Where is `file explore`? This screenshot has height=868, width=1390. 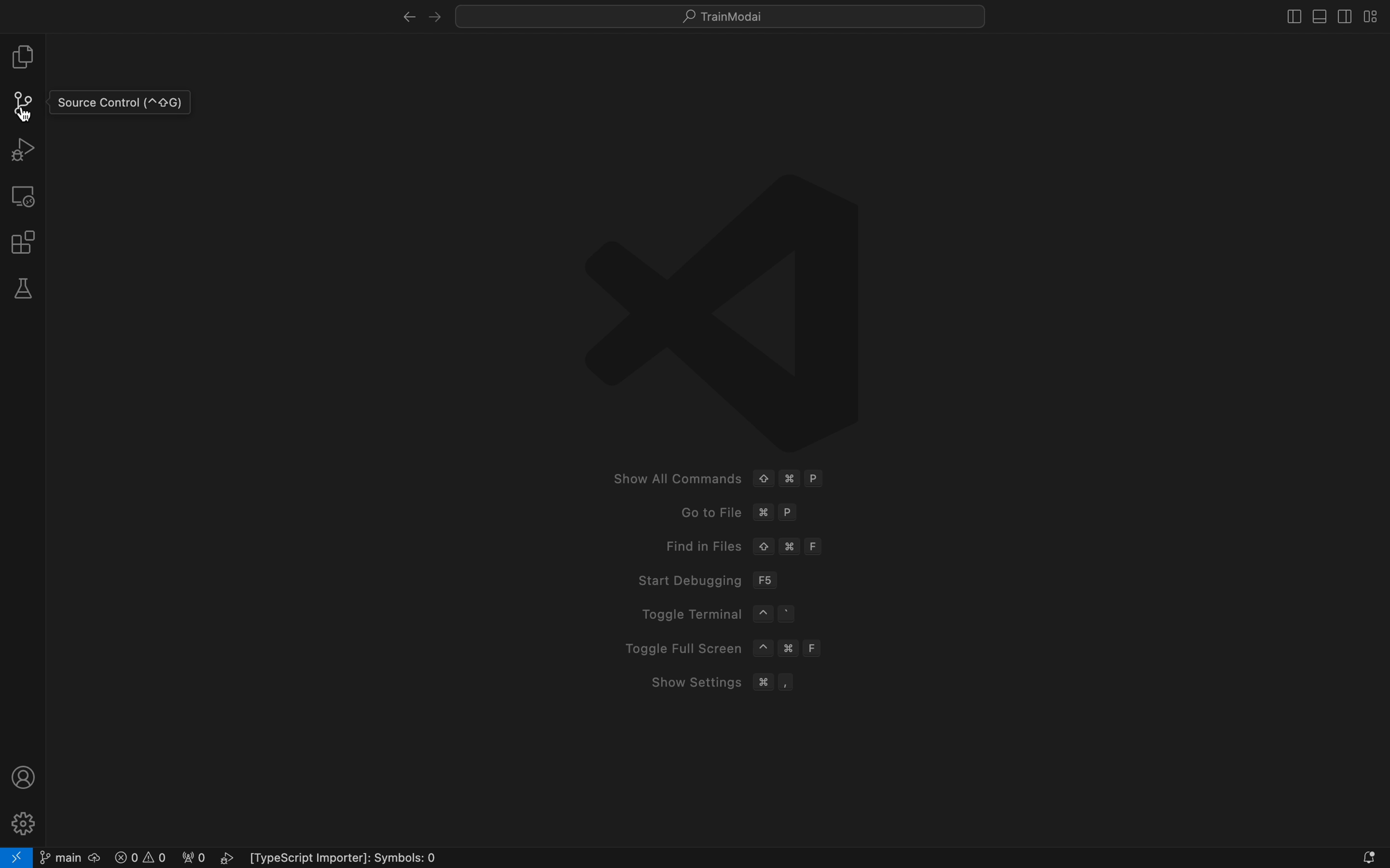
file explore is located at coordinates (25, 57).